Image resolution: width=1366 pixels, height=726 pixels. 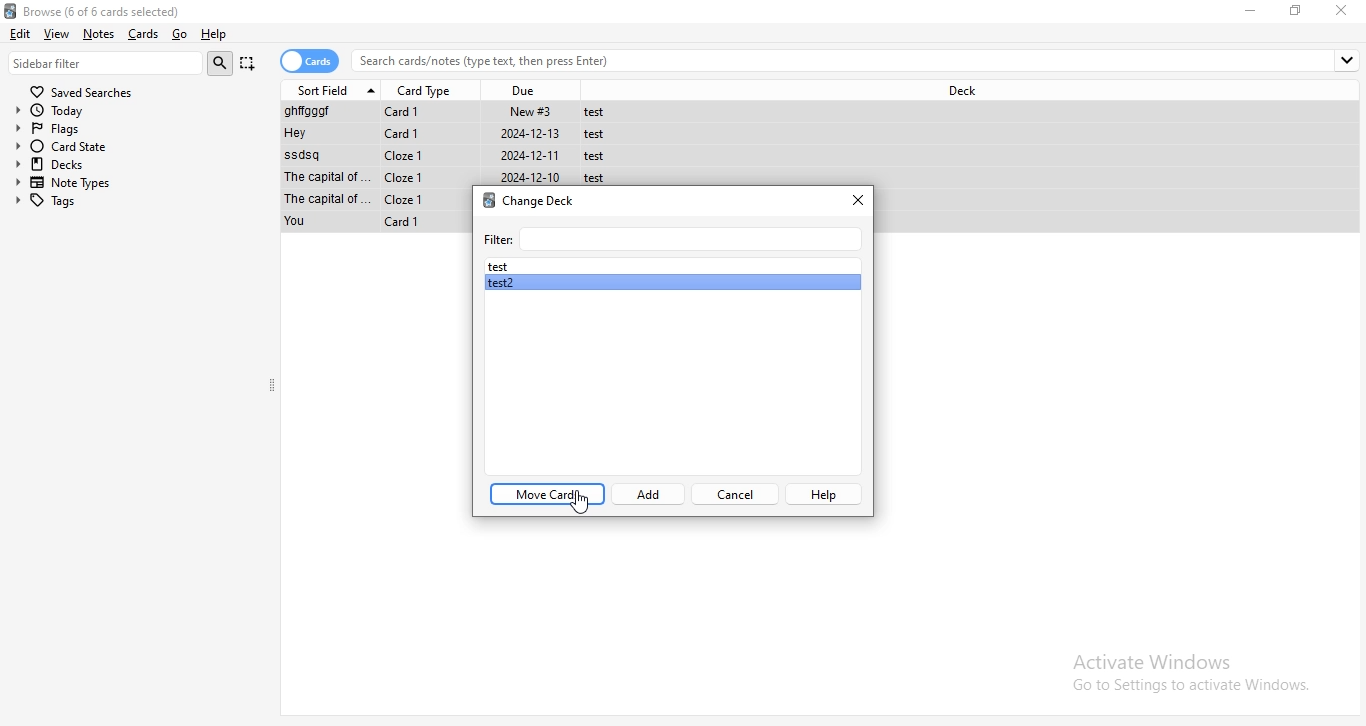 What do you see at coordinates (146, 34) in the screenshot?
I see `Cards` at bounding box center [146, 34].